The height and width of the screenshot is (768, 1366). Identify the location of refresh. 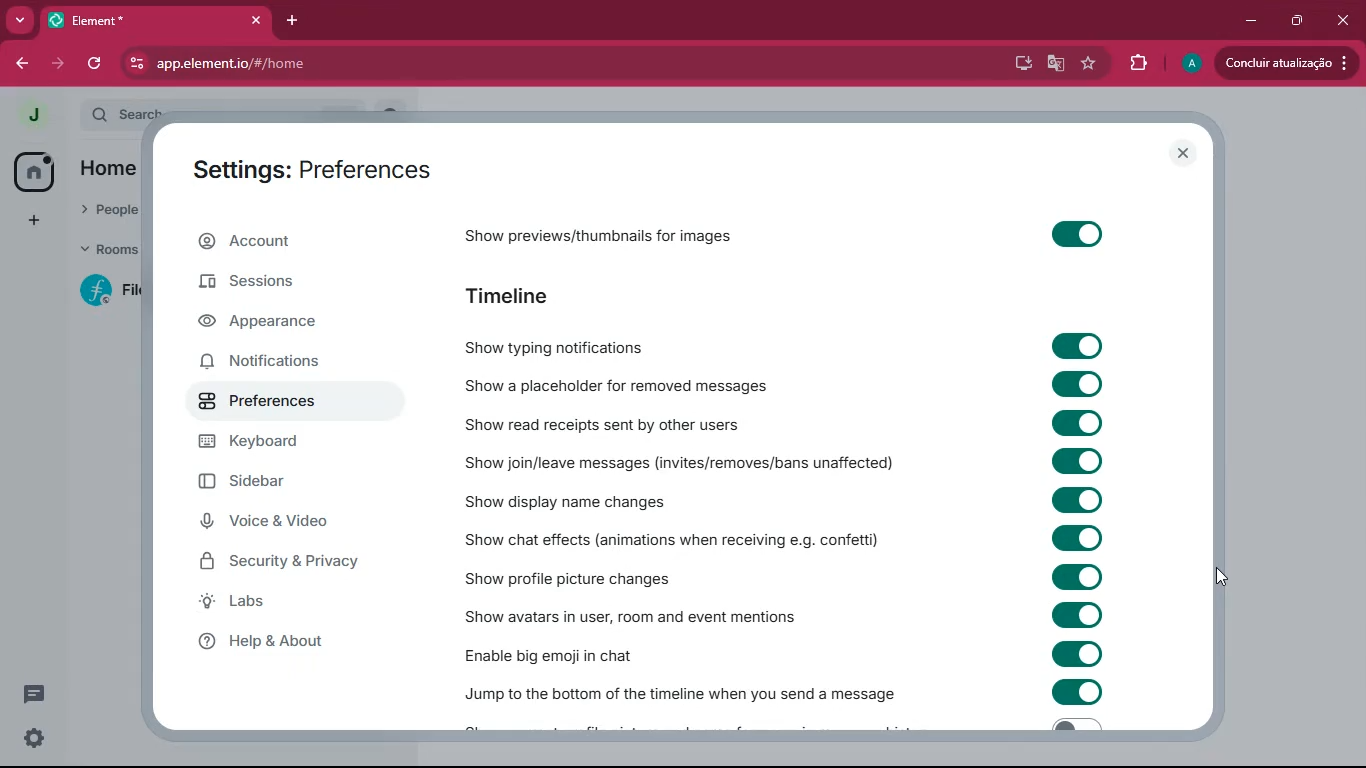
(96, 65).